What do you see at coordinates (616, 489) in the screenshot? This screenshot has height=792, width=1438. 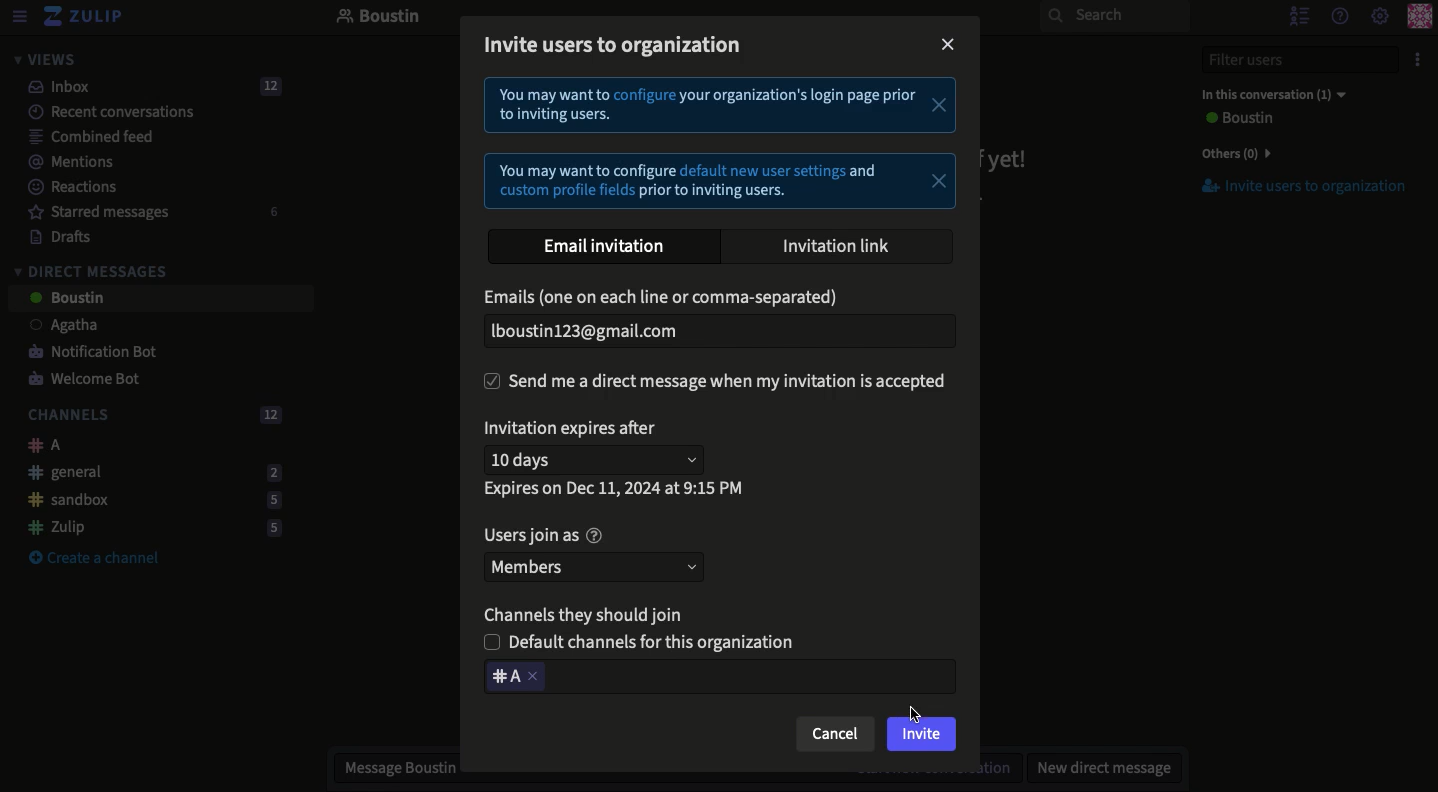 I see `Expires on data` at bounding box center [616, 489].